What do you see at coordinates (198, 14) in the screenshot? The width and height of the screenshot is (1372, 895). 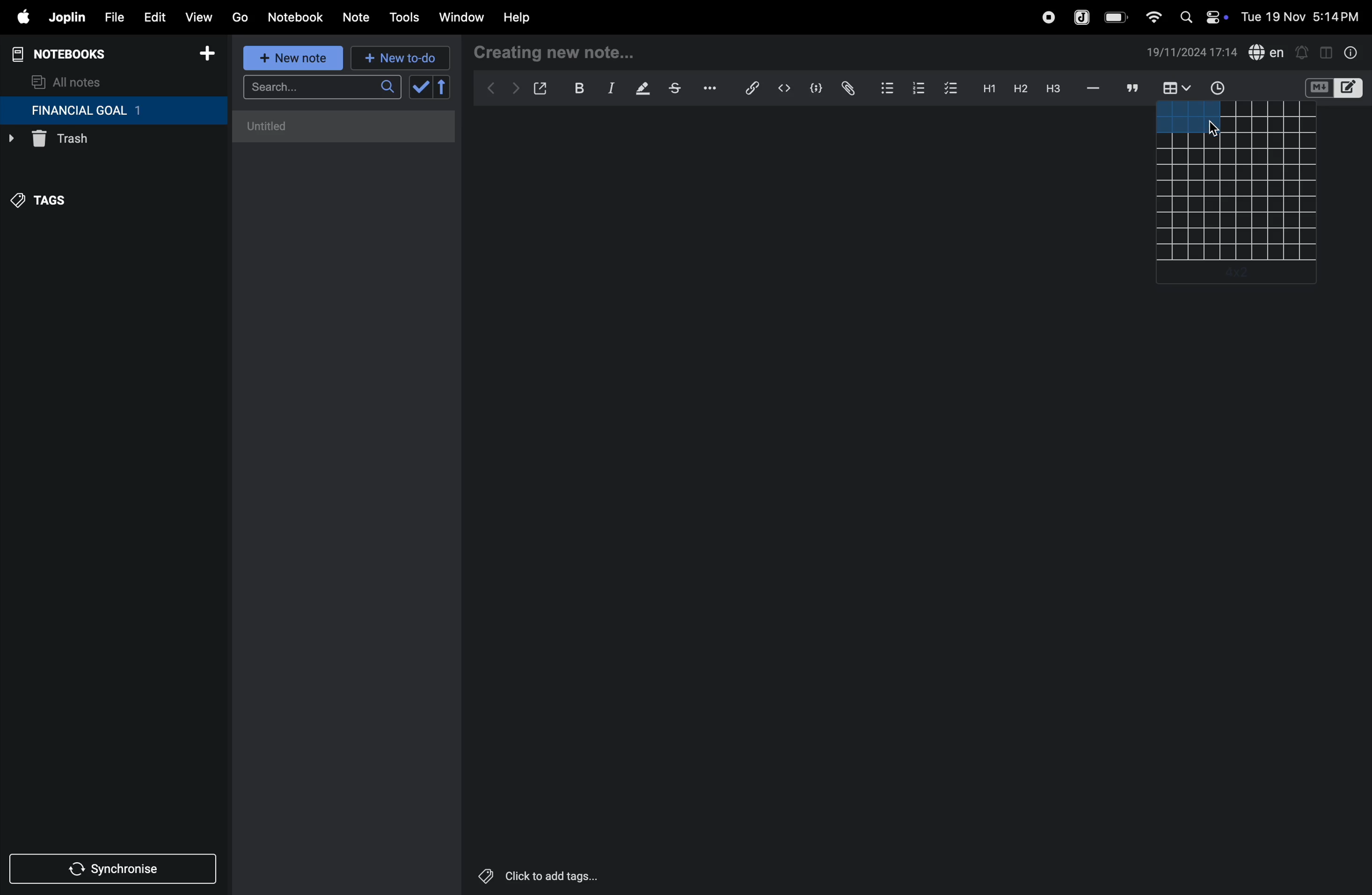 I see `view` at bounding box center [198, 14].